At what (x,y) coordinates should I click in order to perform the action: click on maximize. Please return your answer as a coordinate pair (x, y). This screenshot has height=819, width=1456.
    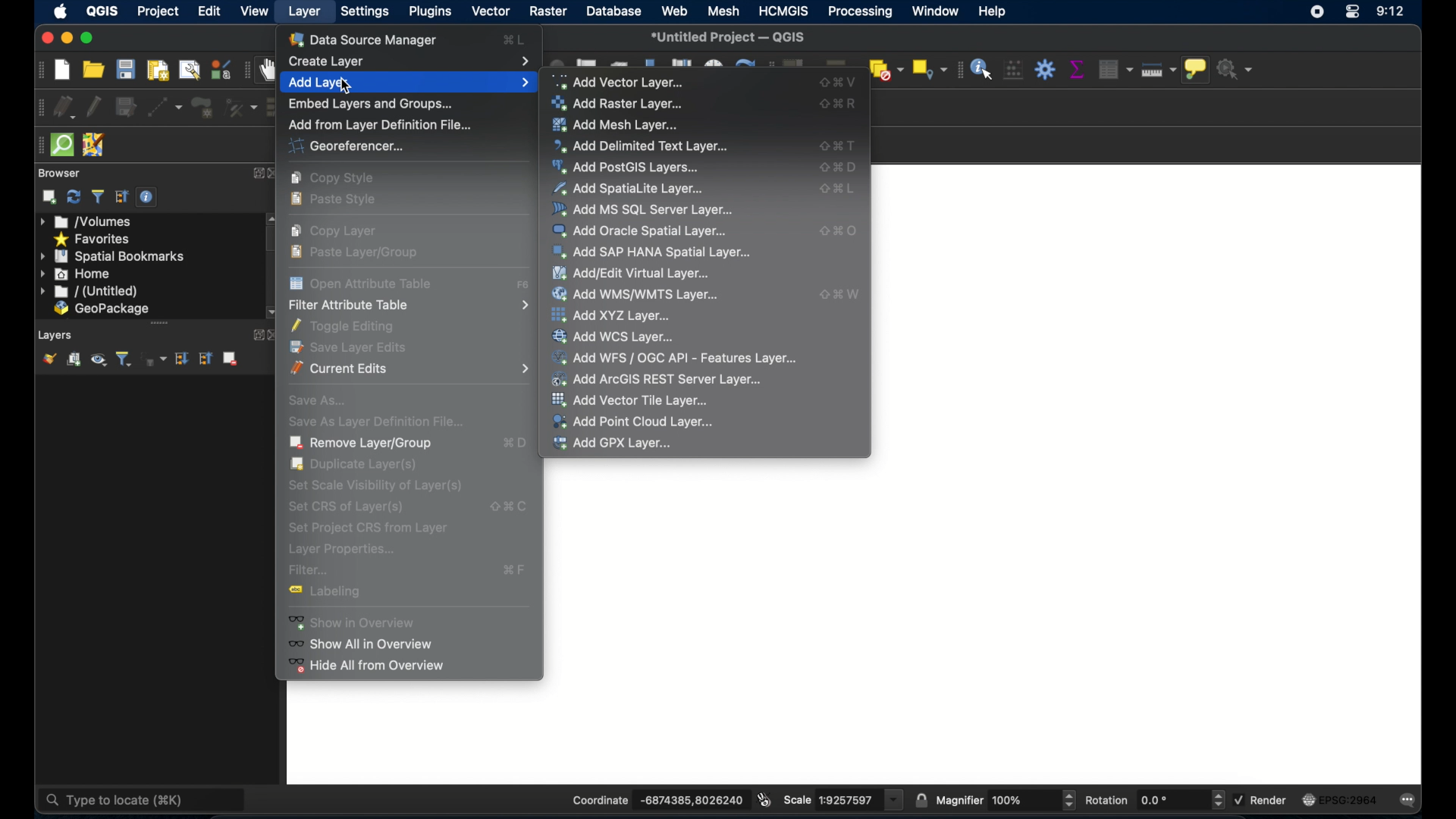
    Looking at the image, I should click on (89, 38).